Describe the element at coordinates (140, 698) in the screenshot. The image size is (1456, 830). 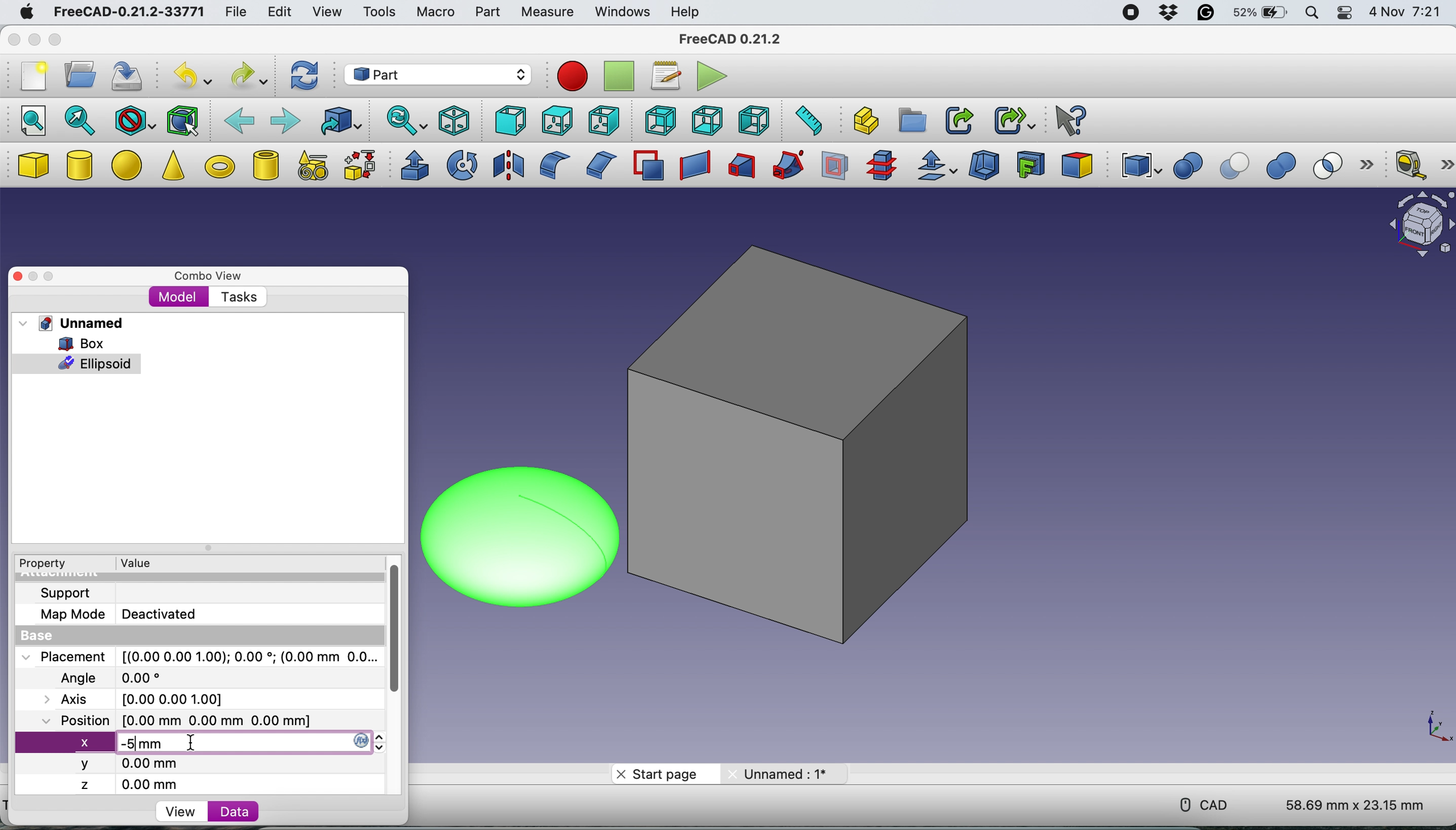
I see `Axis [0.00 0.00 1.00]` at that location.